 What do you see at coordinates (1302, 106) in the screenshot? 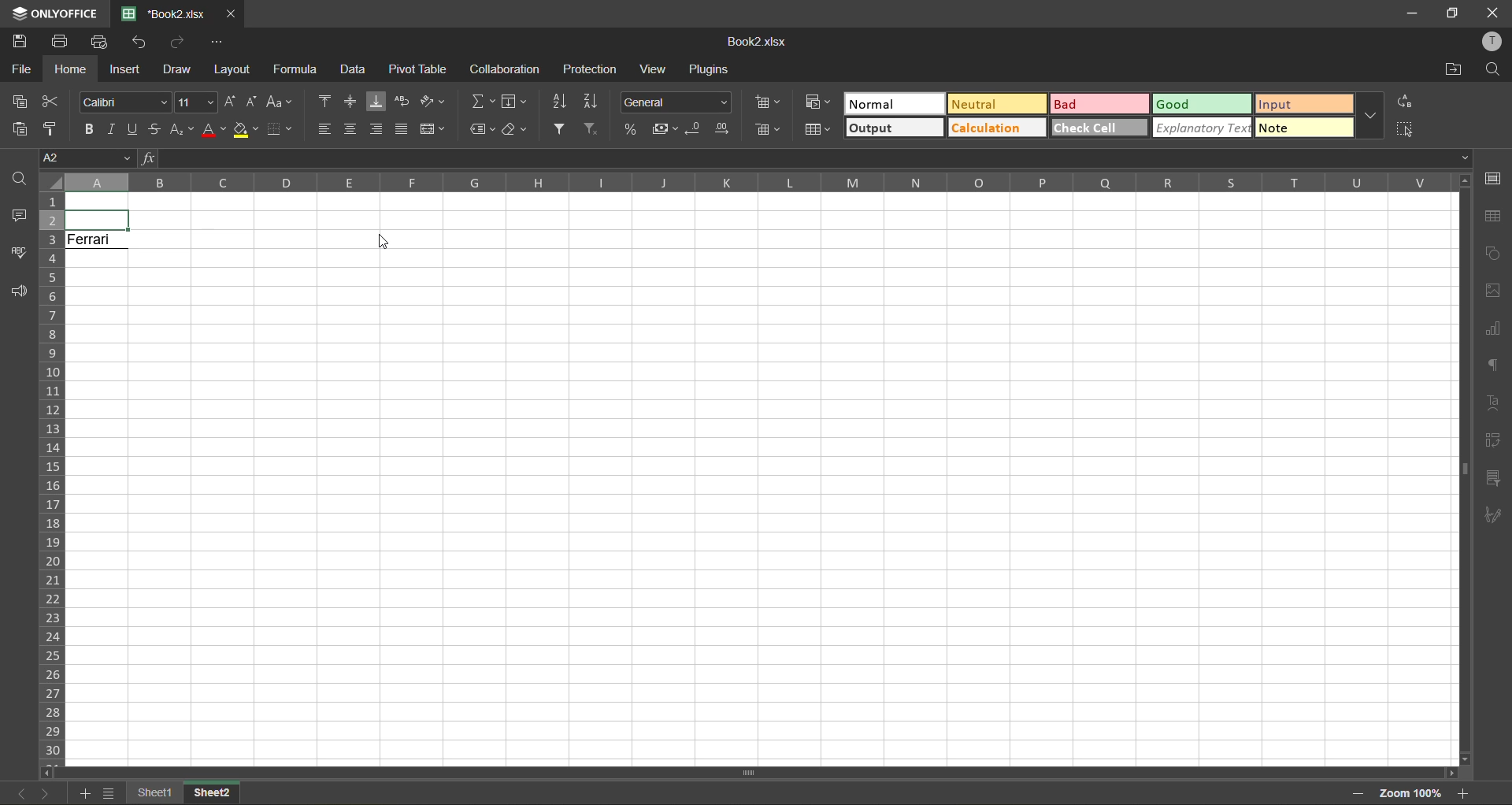
I see `input` at bounding box center [1302, 106].